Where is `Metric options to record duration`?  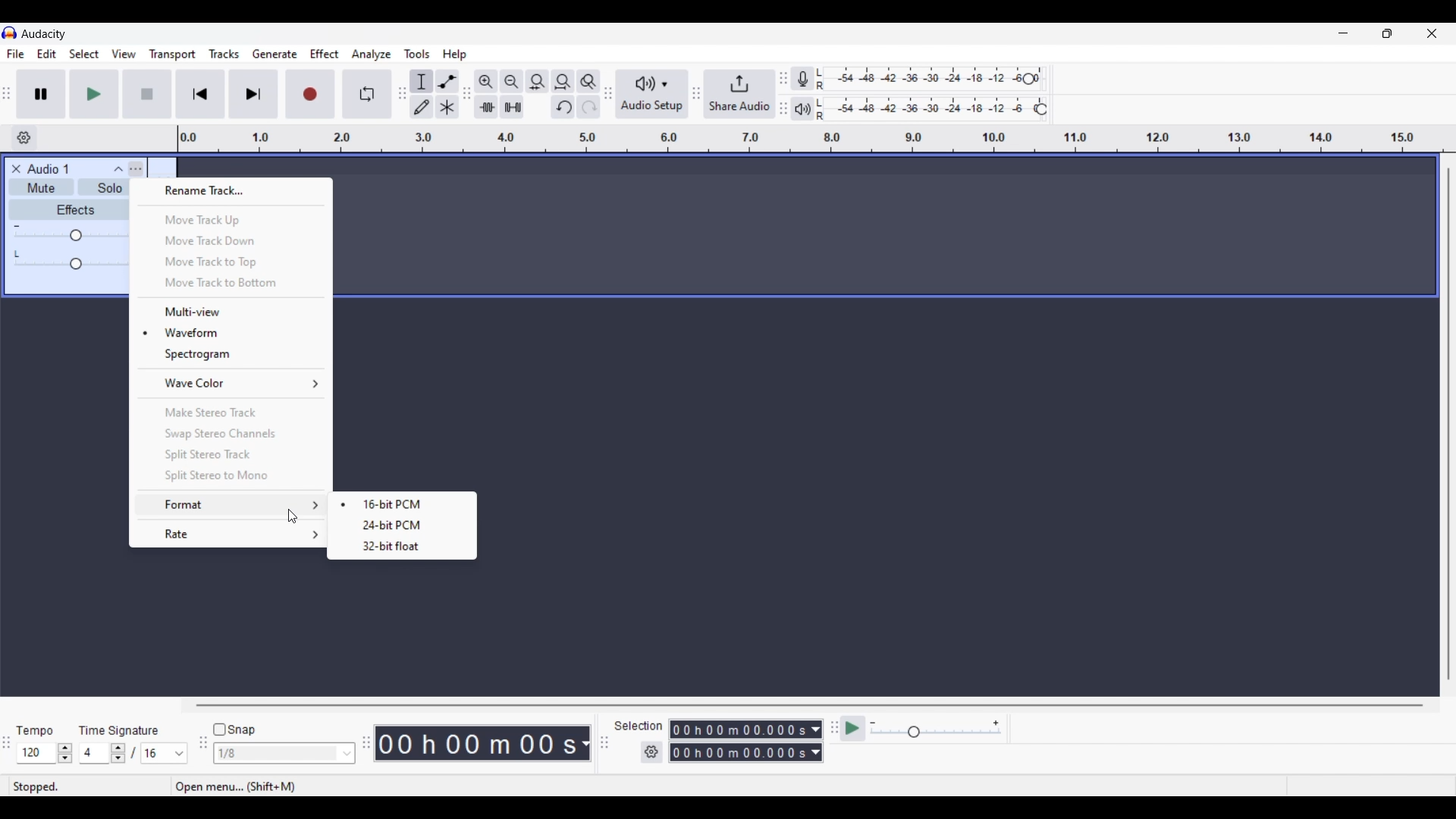
Metric options to record duration is located at coordinates (814, 742).